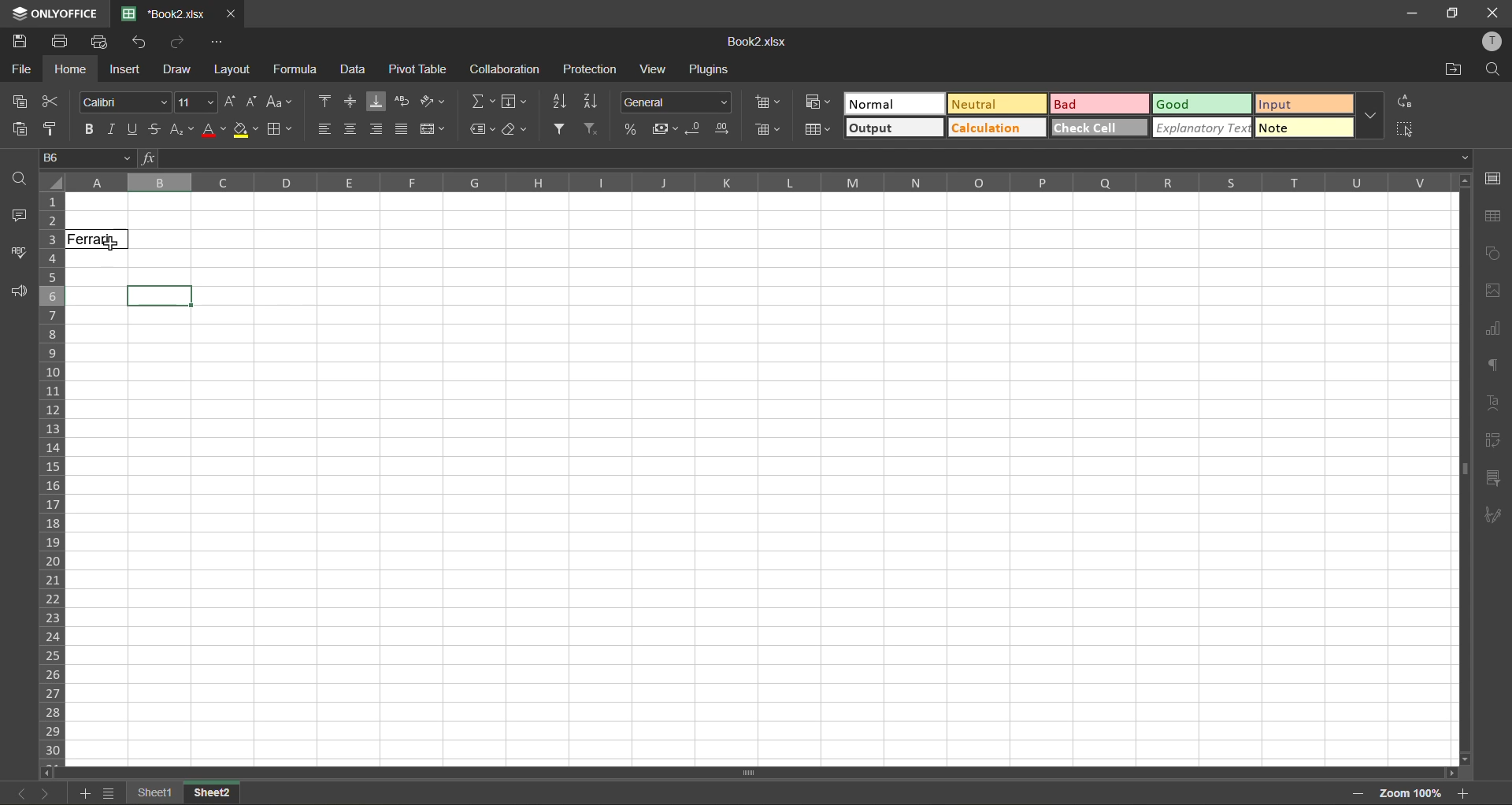  Describe the element at coordinates (558, 128) in the screenshot. I see `filter` at that location.